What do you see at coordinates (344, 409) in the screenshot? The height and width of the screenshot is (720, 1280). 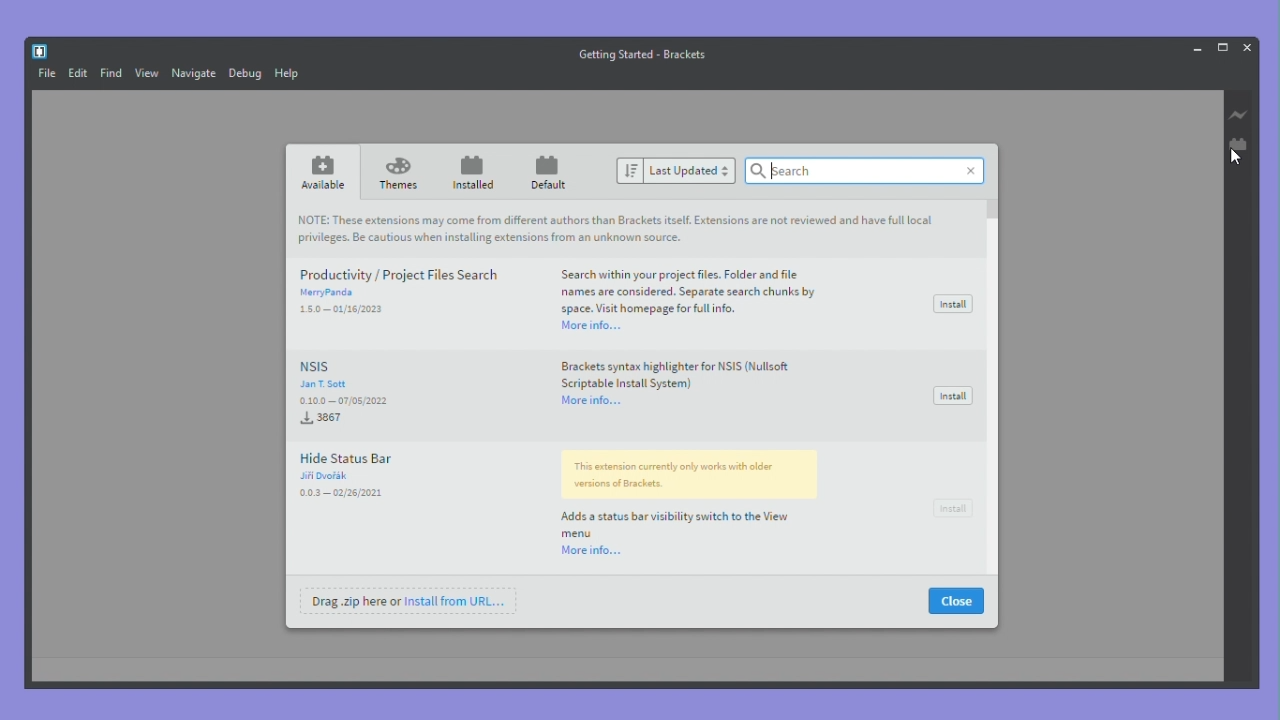 I see `0.10.0-07/05/2022 ` at bounding box center [344, 409].